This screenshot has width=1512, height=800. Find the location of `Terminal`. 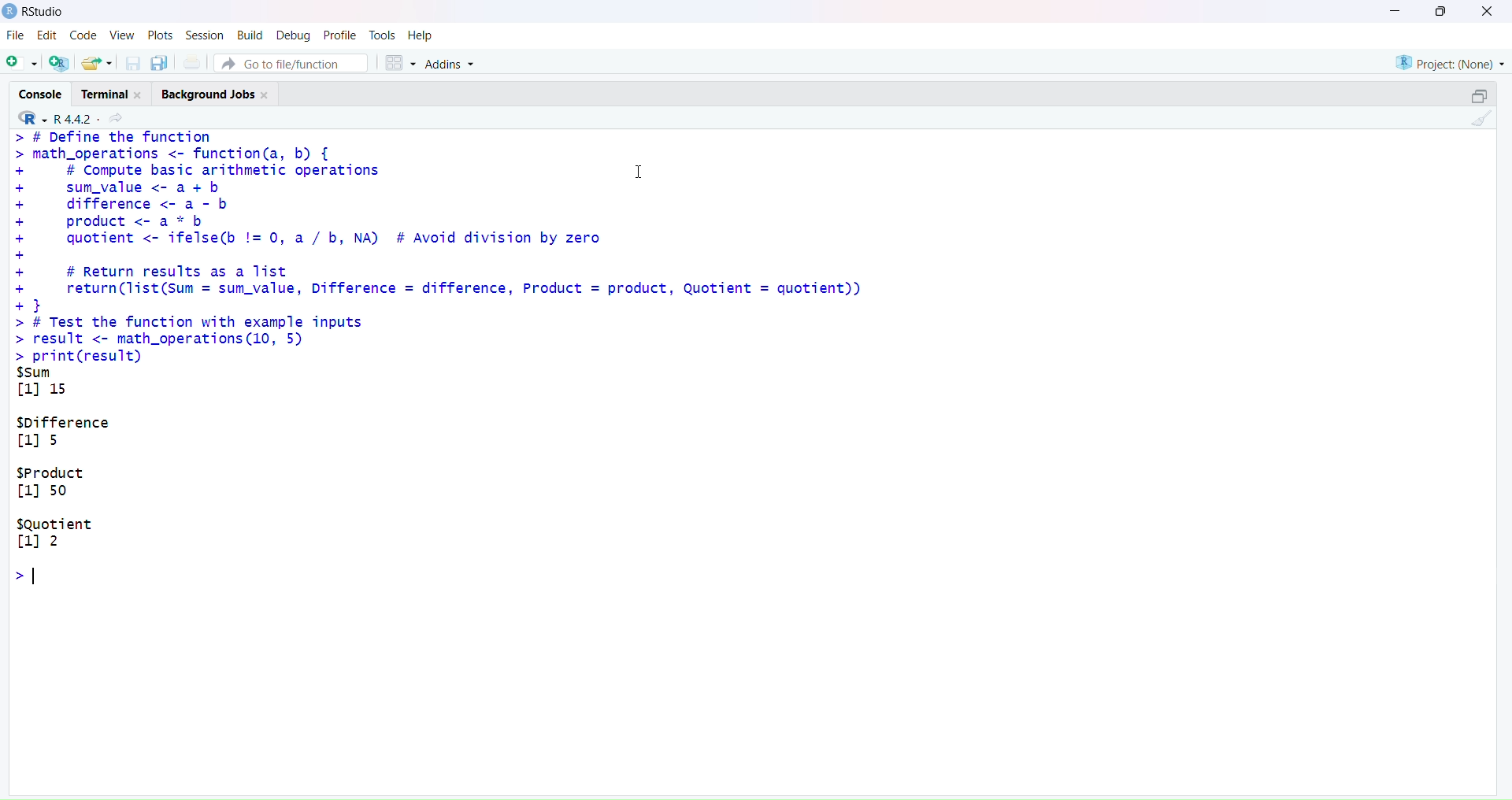

Terminal is located at coordinates (116, 91).